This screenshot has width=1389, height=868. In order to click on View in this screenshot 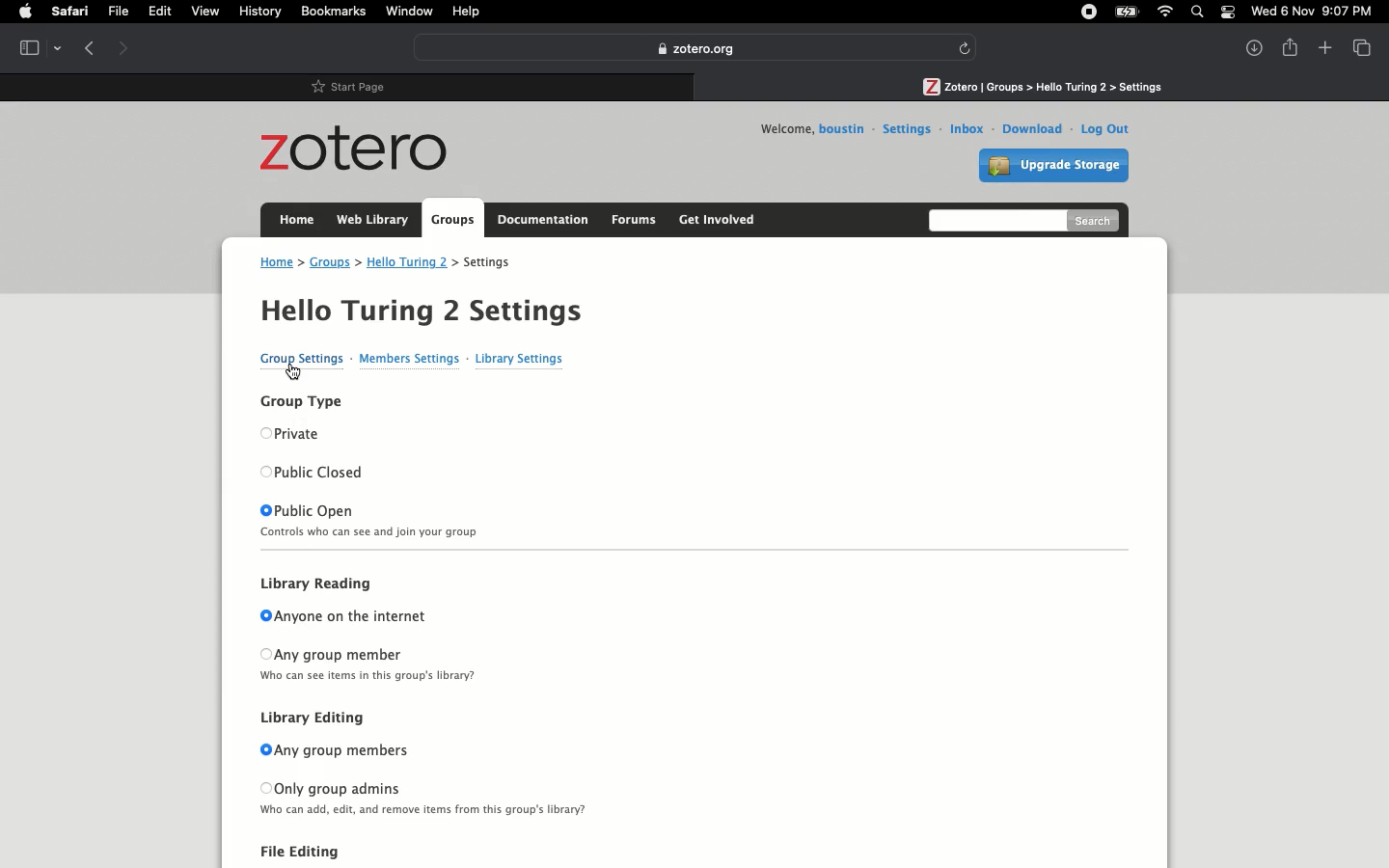, I will do `click(208, 13)`.